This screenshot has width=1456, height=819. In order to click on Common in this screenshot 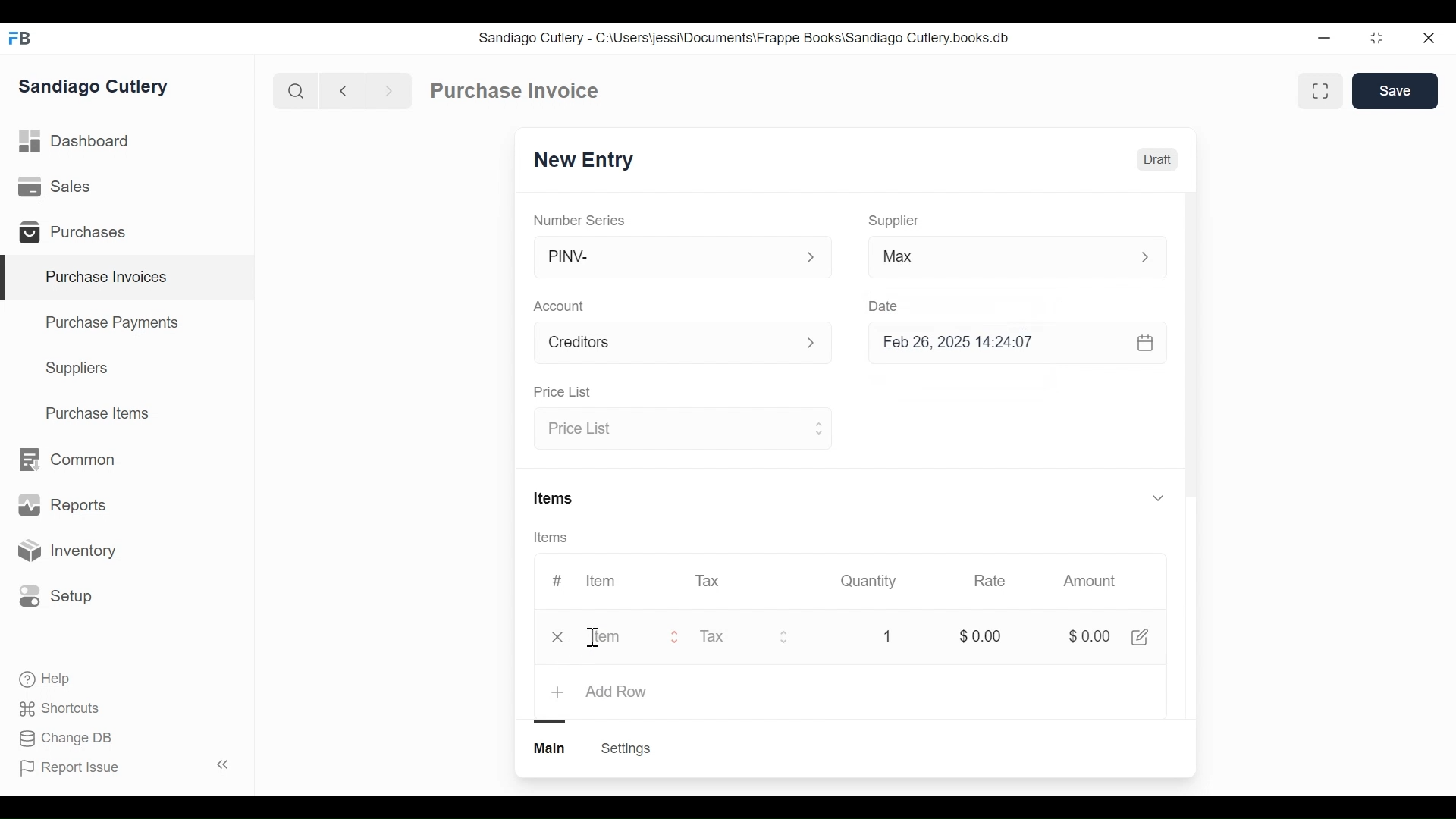, I will do `click(65, 460)`.